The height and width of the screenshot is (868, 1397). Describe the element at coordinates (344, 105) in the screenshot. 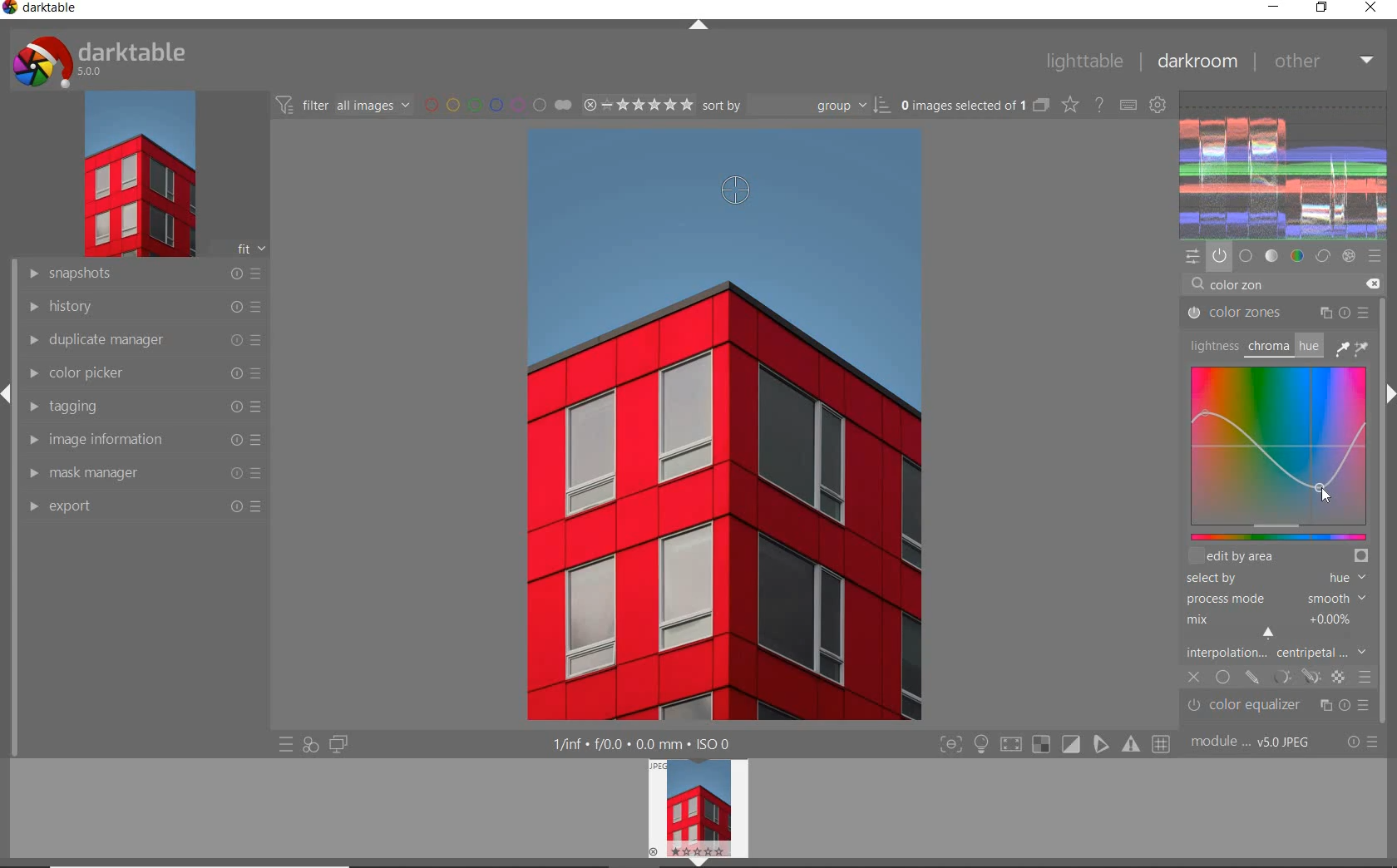

I see `filter all images` at that location.